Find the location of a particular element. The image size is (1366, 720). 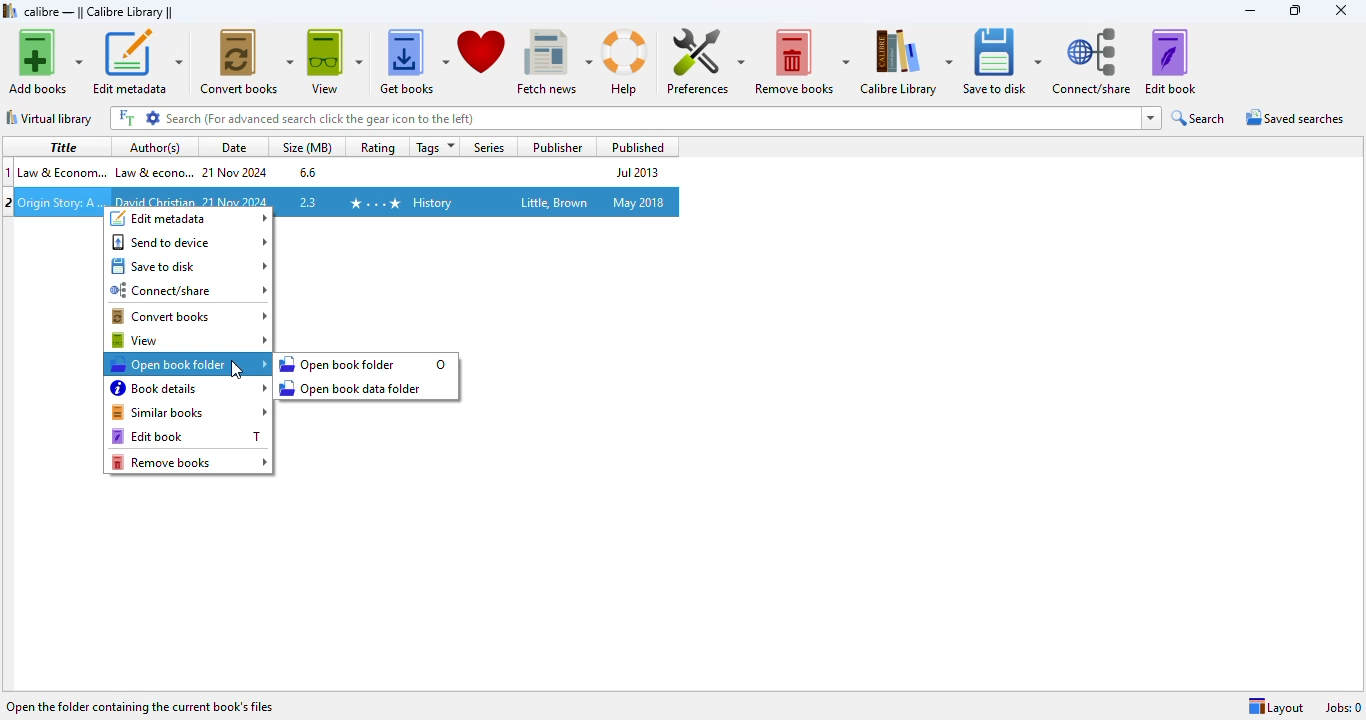

connect/share is located at coordinates (190, 291).